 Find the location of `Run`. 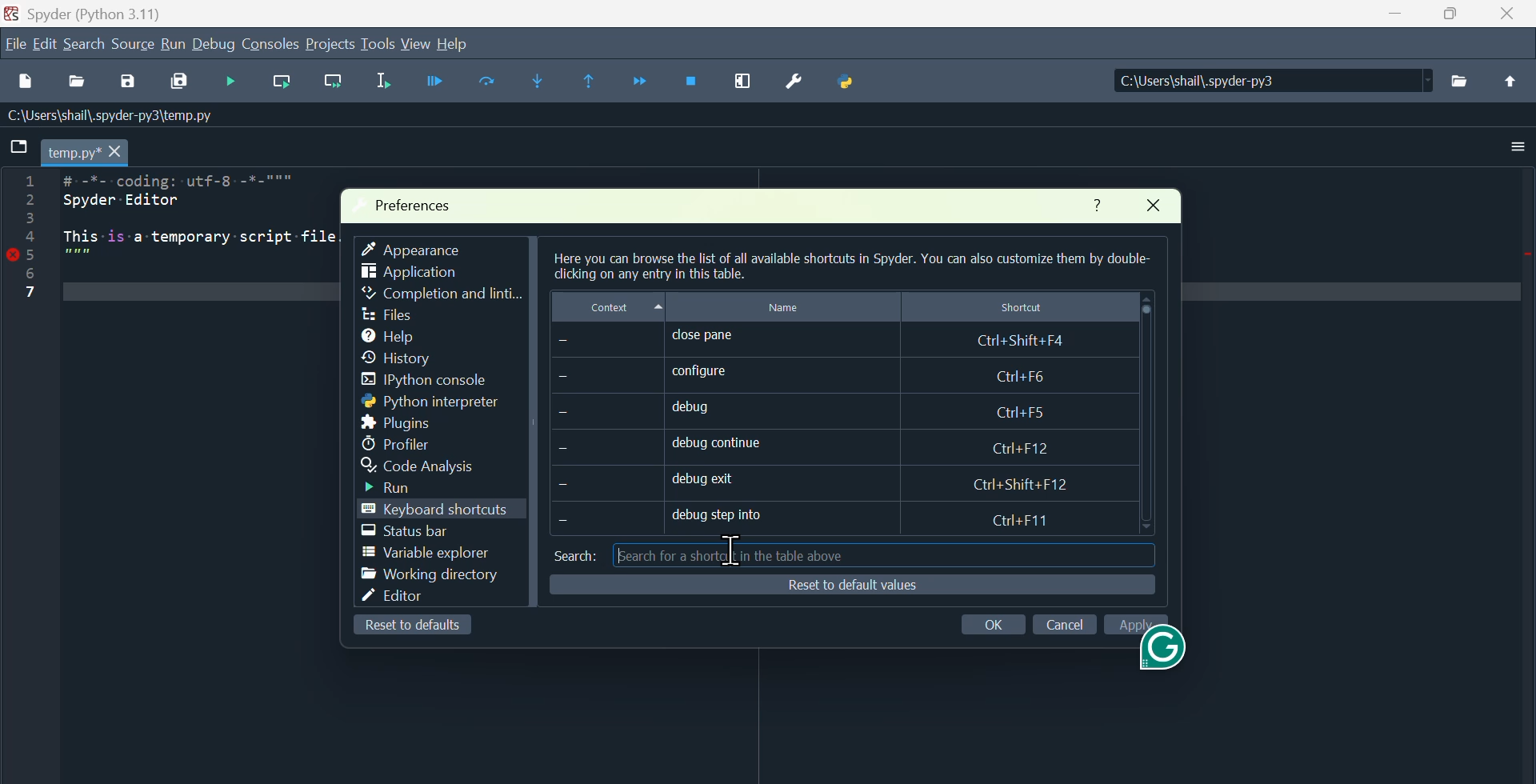

Run is located at coordinates (399, 490).